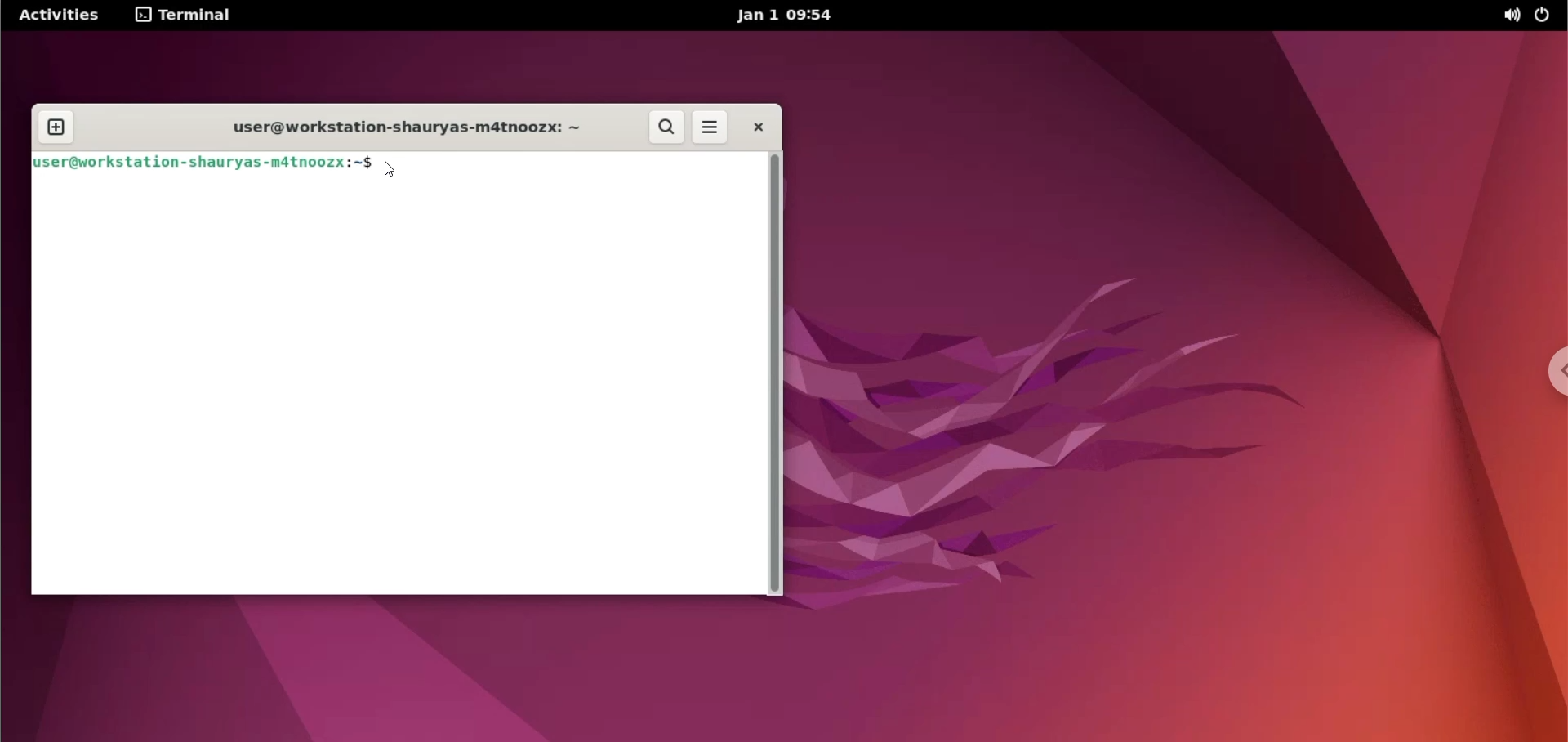 This screenshot has height=742, width=1568. Describe the element at coordinates (792, 17) in the screenshot. I see `Jan 1 09:54` at that location.